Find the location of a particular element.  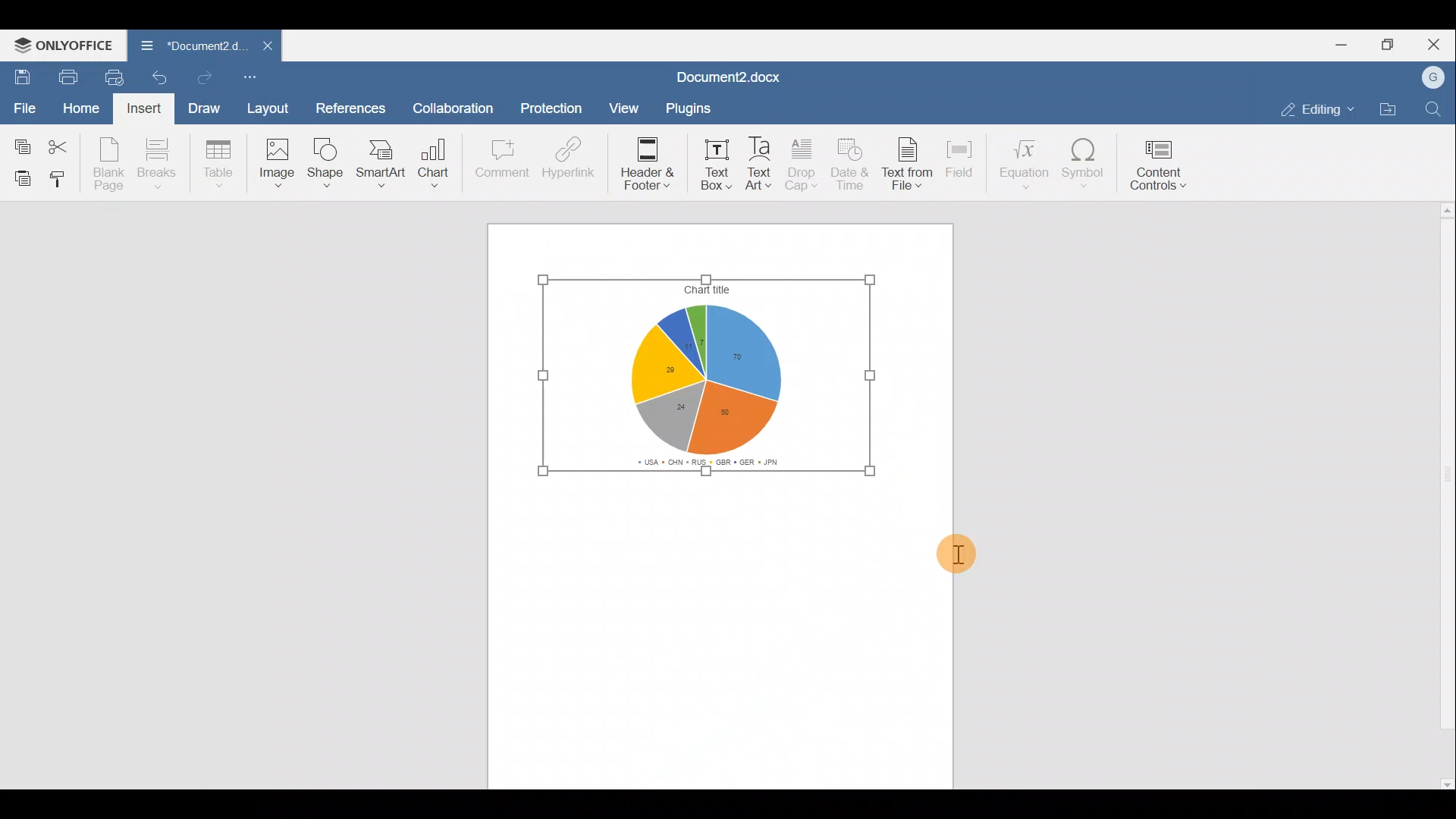

View is located at coordinates (625, 107).